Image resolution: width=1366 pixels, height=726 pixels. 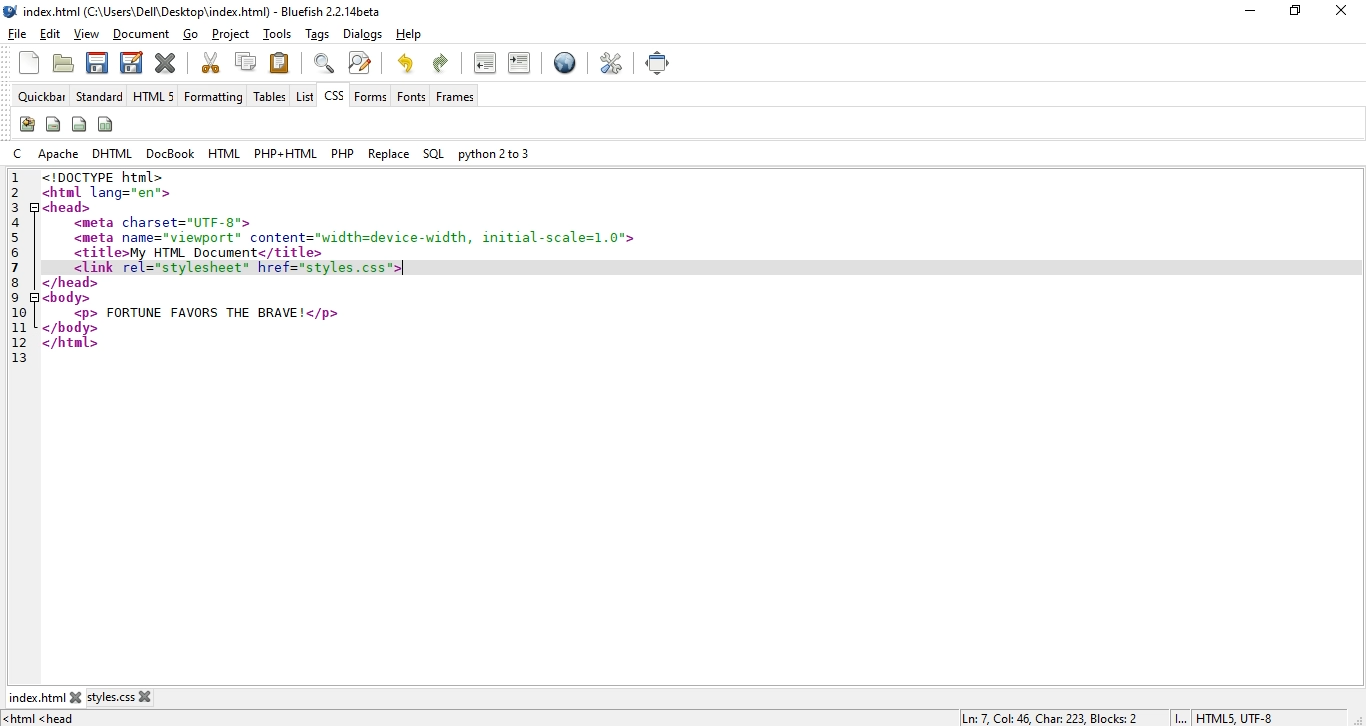 I want to click on cut, so click(x=211, y=62).